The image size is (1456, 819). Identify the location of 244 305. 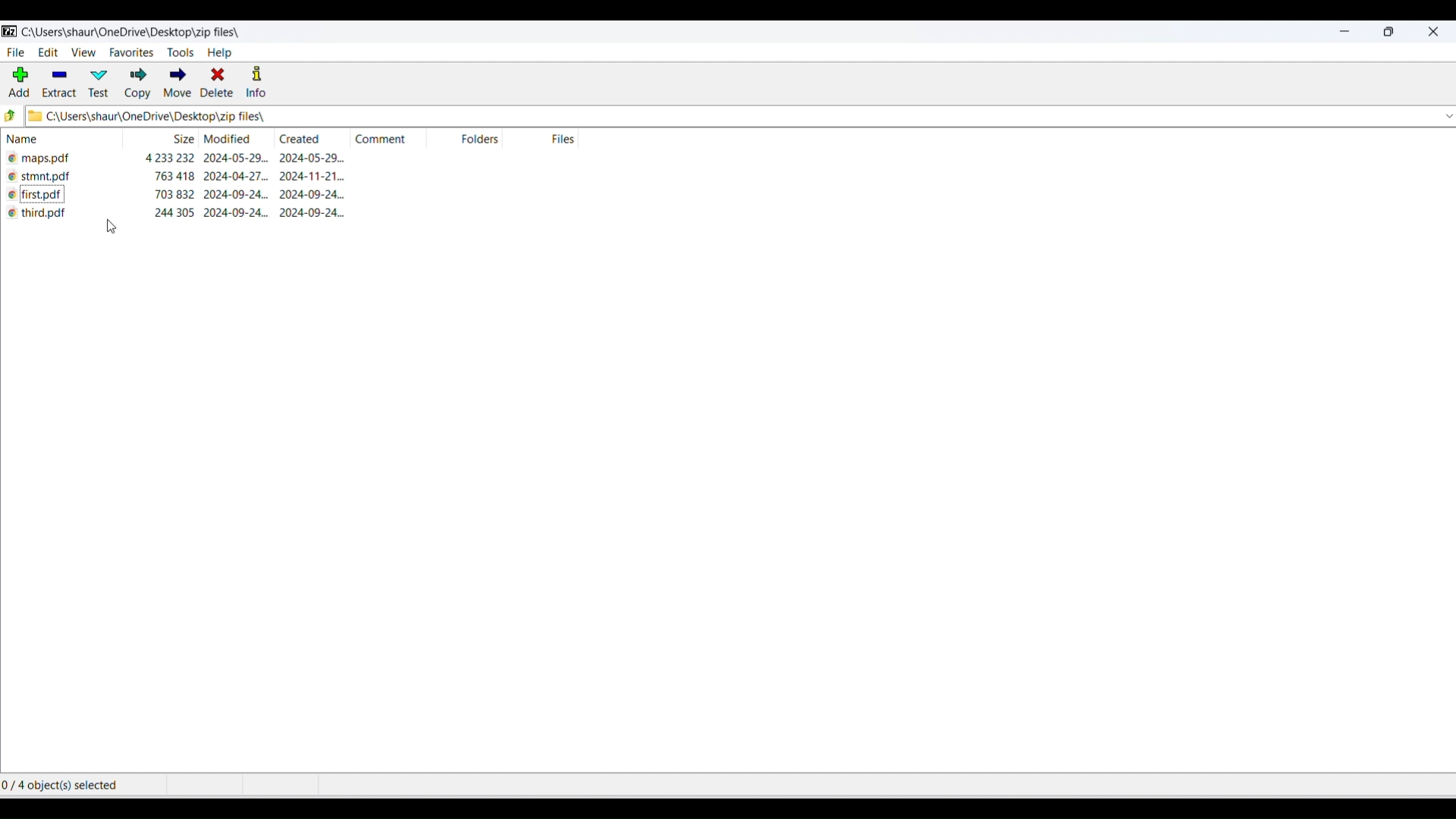
(170, 212).